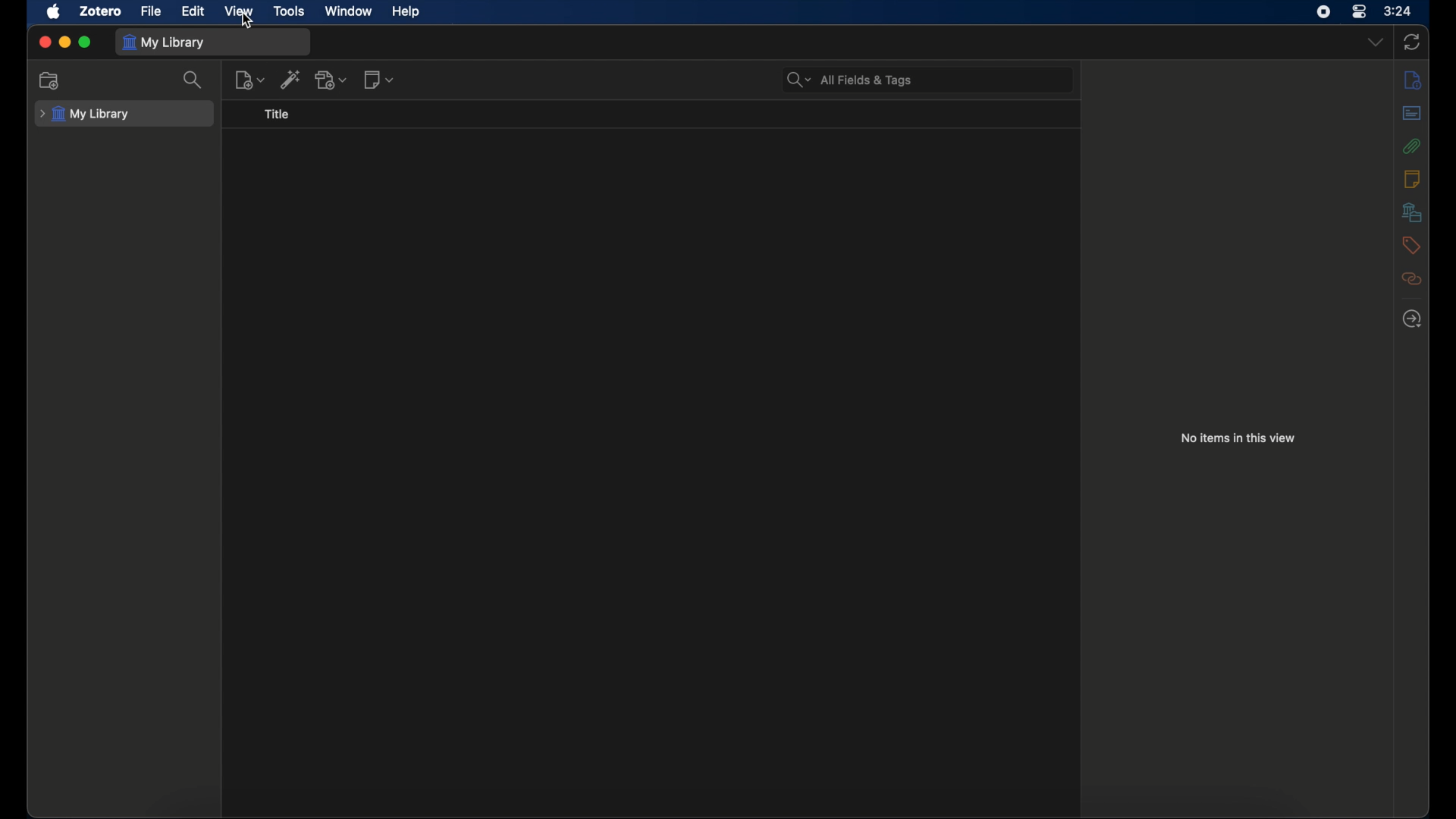  What do you see at coordinates (167, 43) in the screenshot?
I see `my library` at bounding box center [167, 43].